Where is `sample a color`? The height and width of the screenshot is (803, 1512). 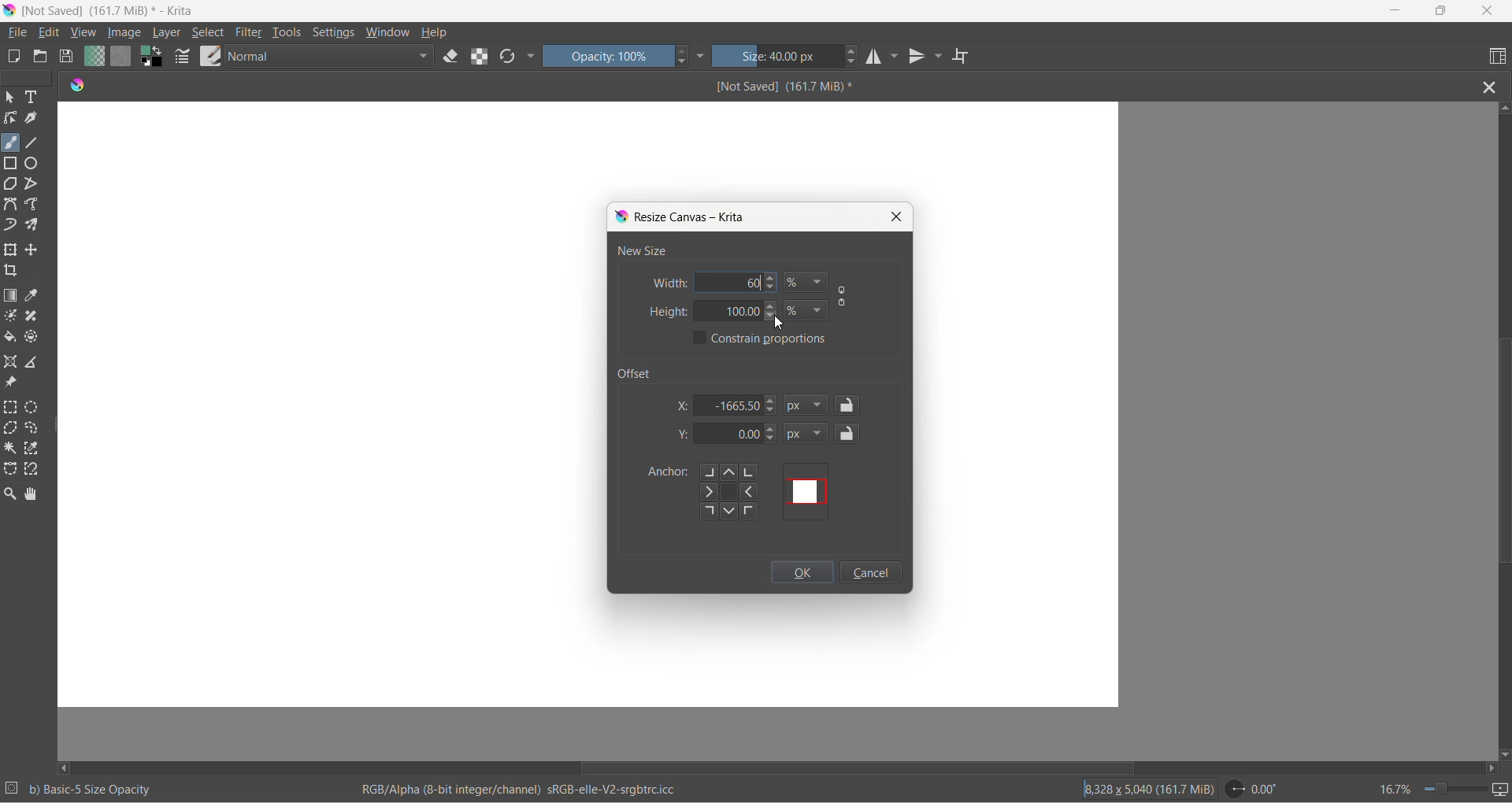 sample a color is located at coordinates (34, 297).